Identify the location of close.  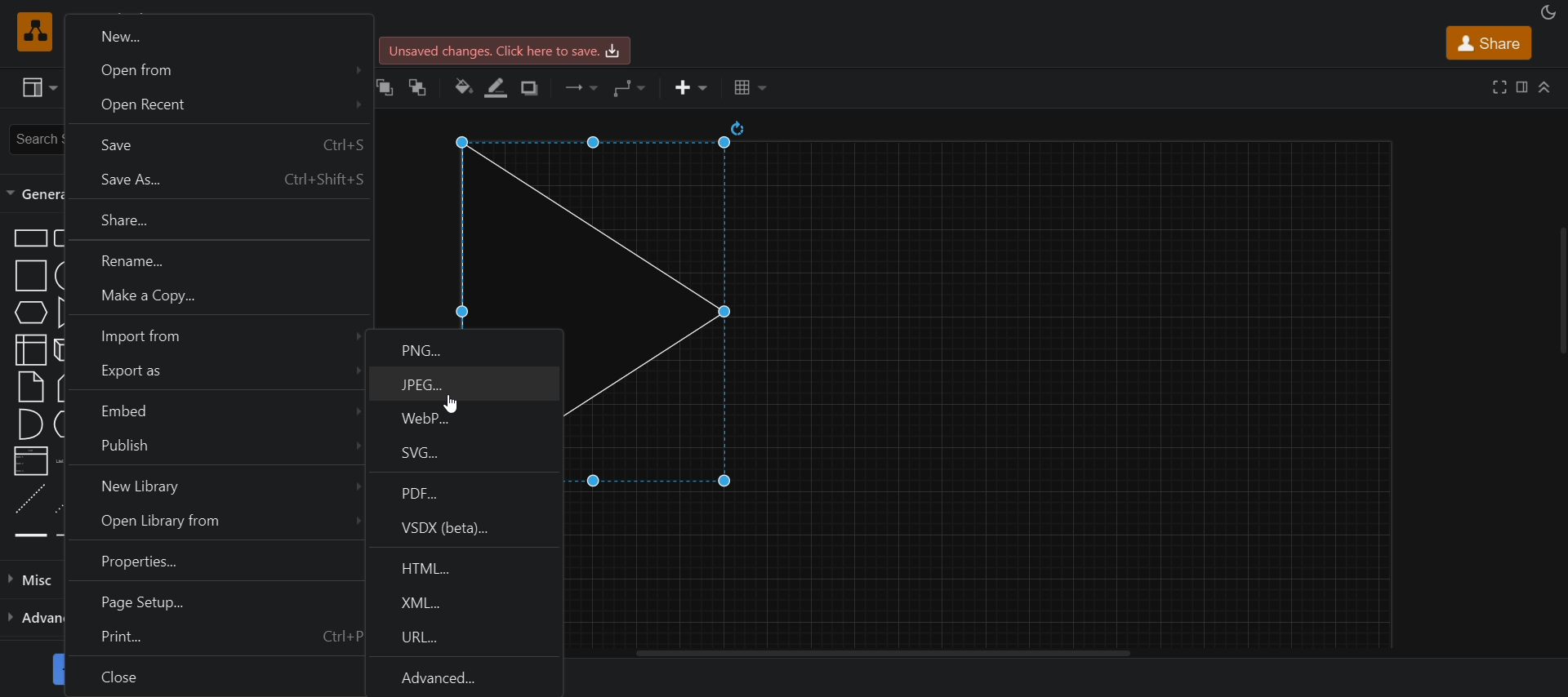
(213, 677).